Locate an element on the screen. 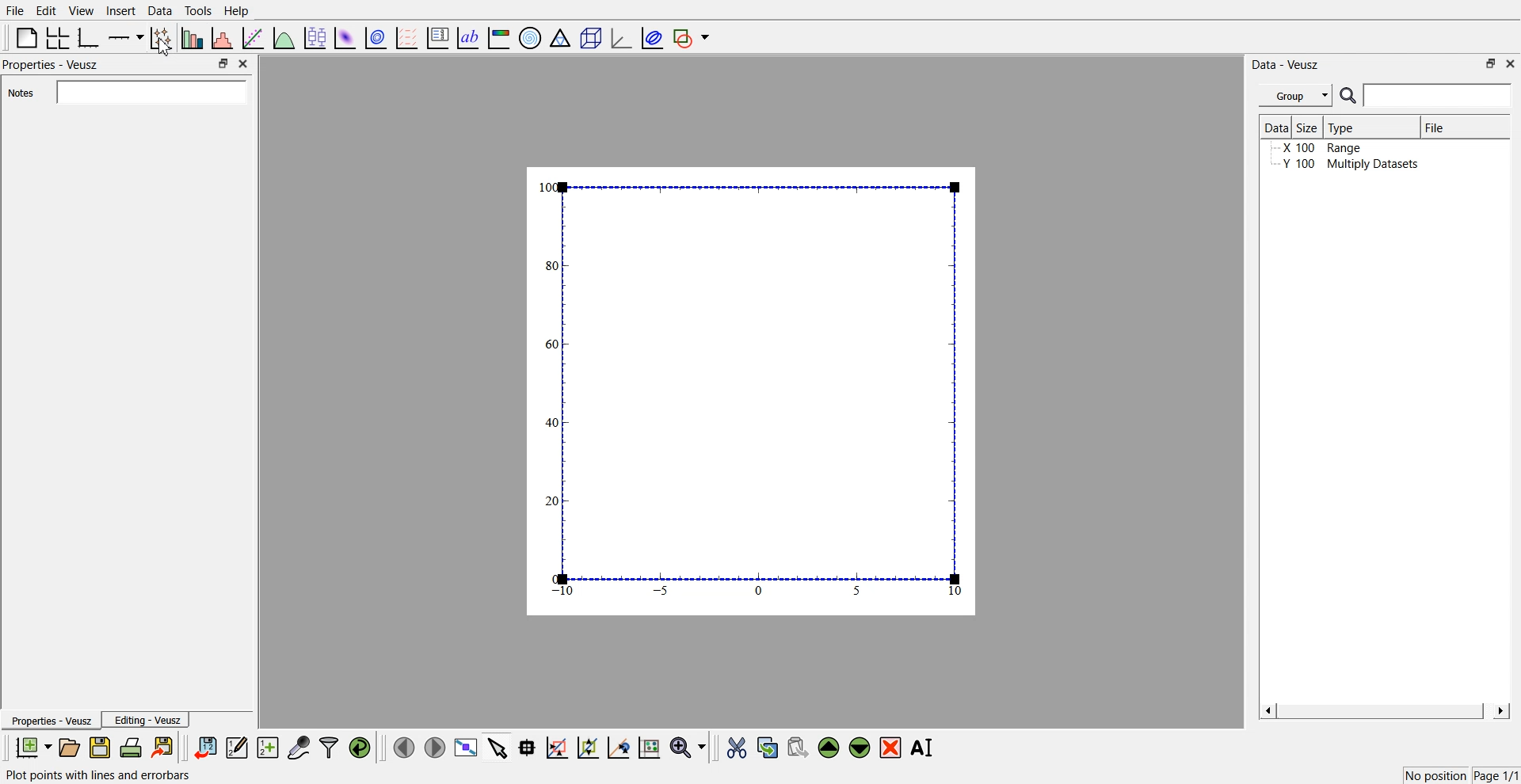 The height and width of the screenshot is (784, 1521). plot a 2d datasets as image is located at coordinates (344, 37).